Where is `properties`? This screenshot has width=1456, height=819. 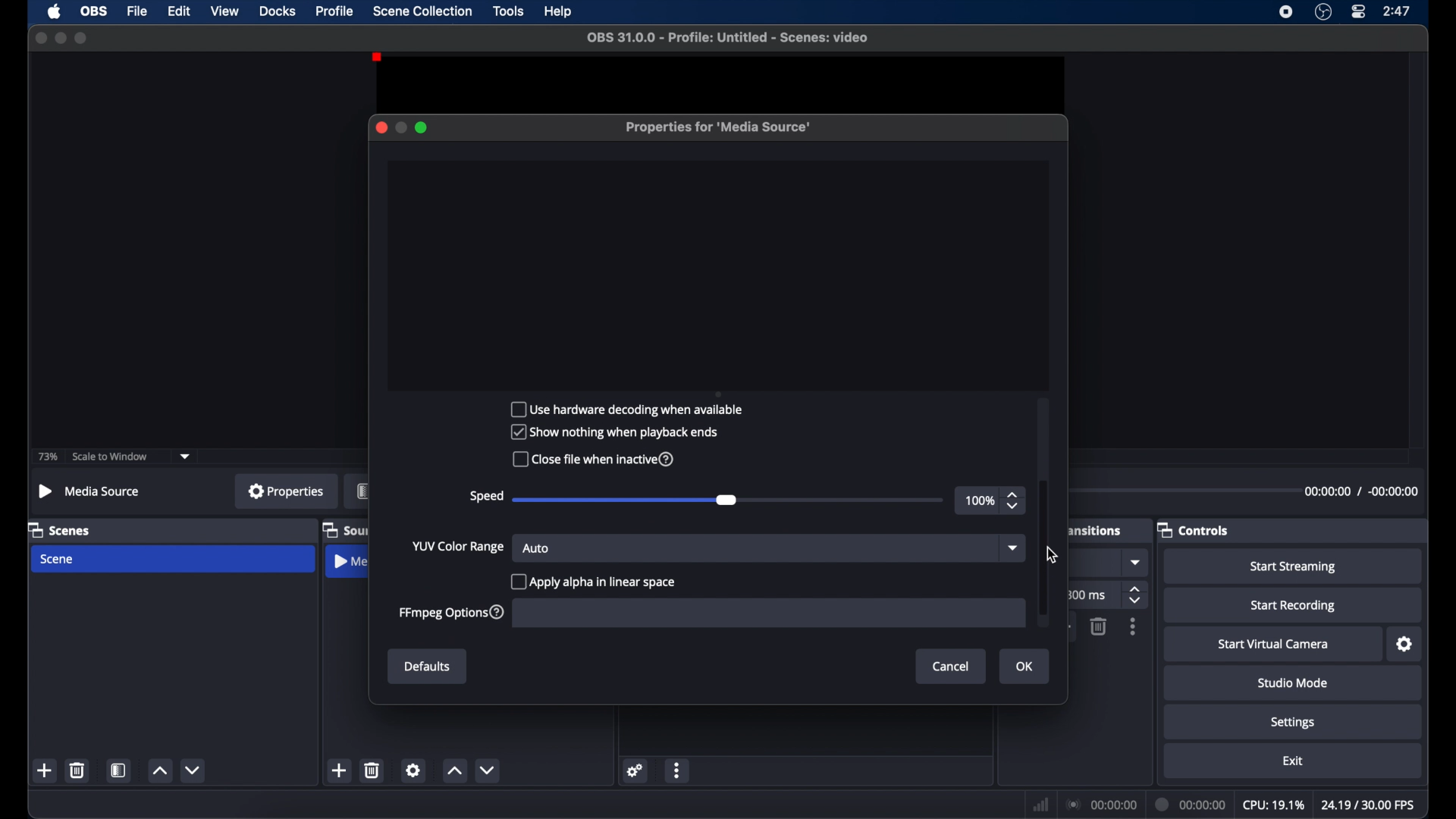
properties is located at coordinates (287, 491).